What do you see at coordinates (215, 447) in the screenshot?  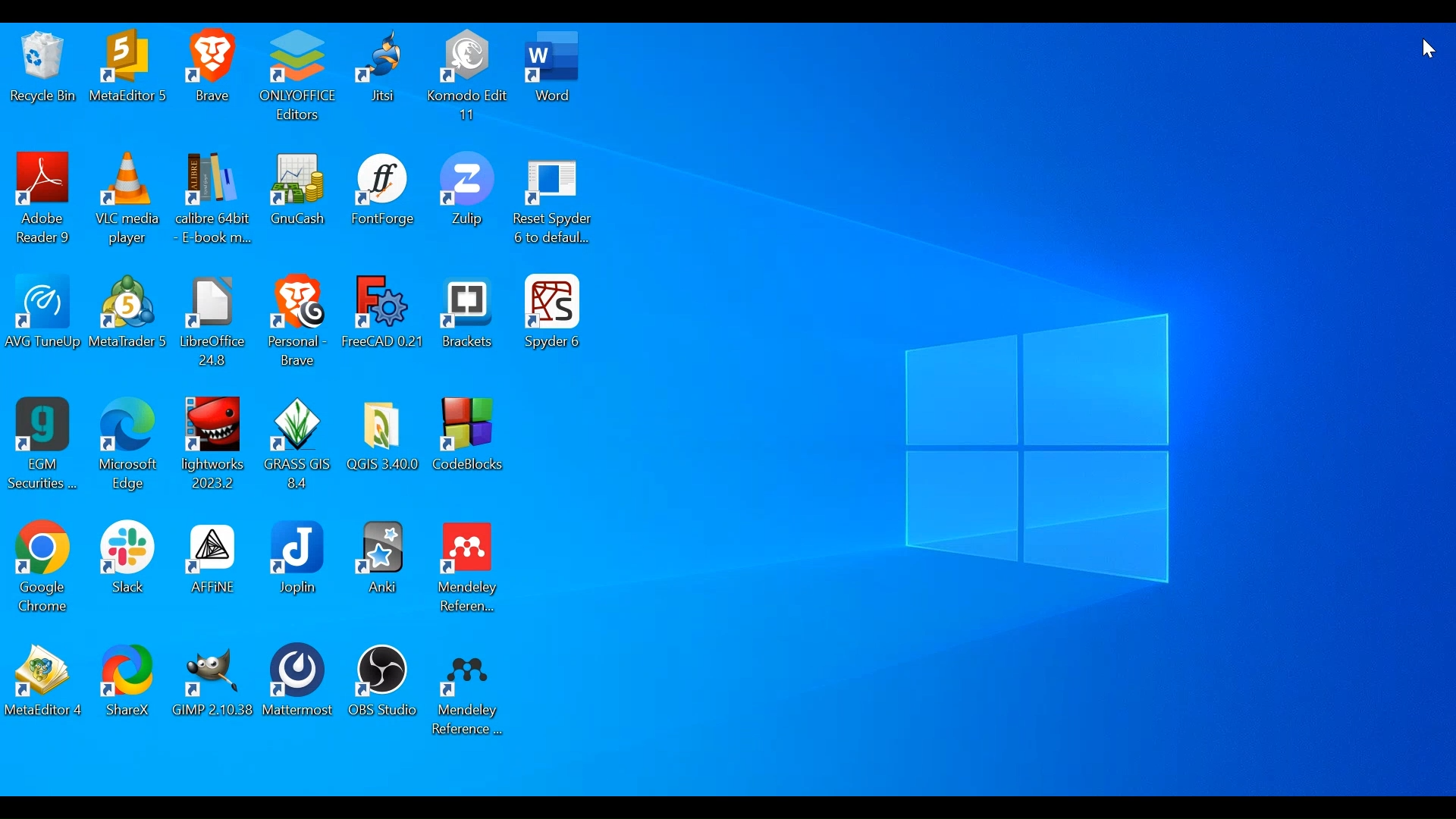 I see `Lightworks 2023.2` at bounding box center [215, 447].